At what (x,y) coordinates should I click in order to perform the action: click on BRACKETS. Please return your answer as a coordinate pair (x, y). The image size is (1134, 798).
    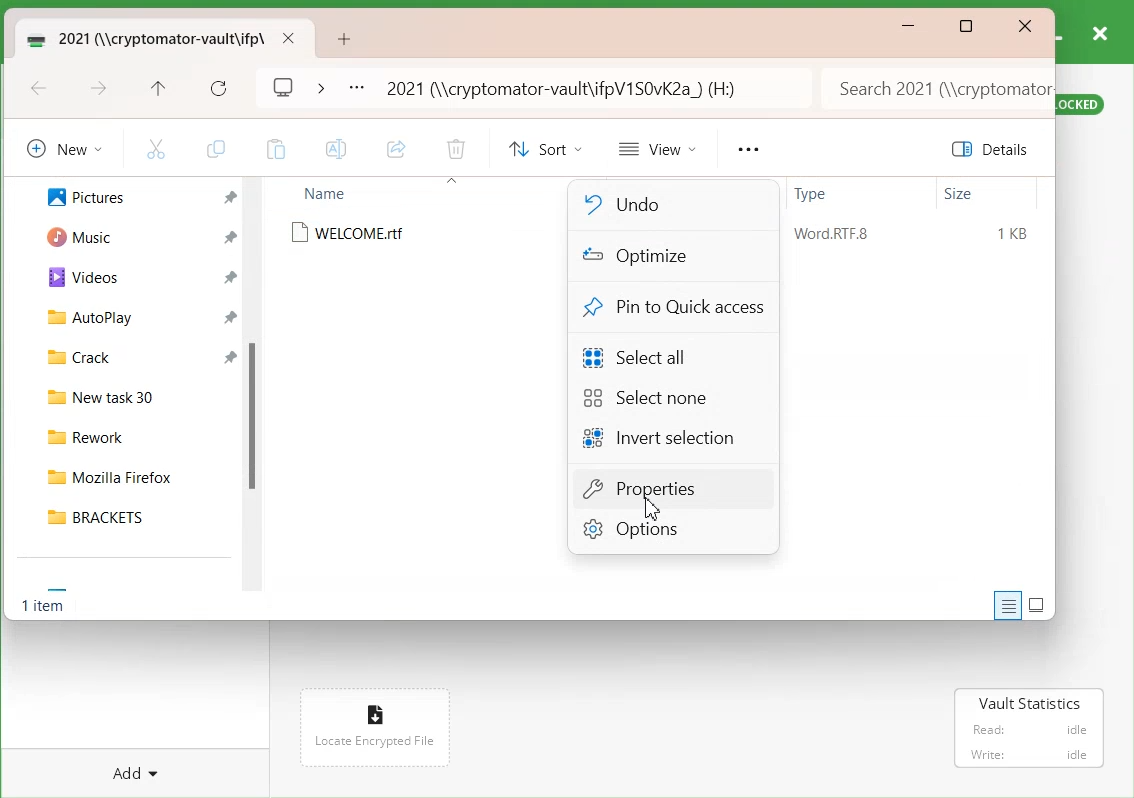
    Looking at the image, I should click on (131, 516).